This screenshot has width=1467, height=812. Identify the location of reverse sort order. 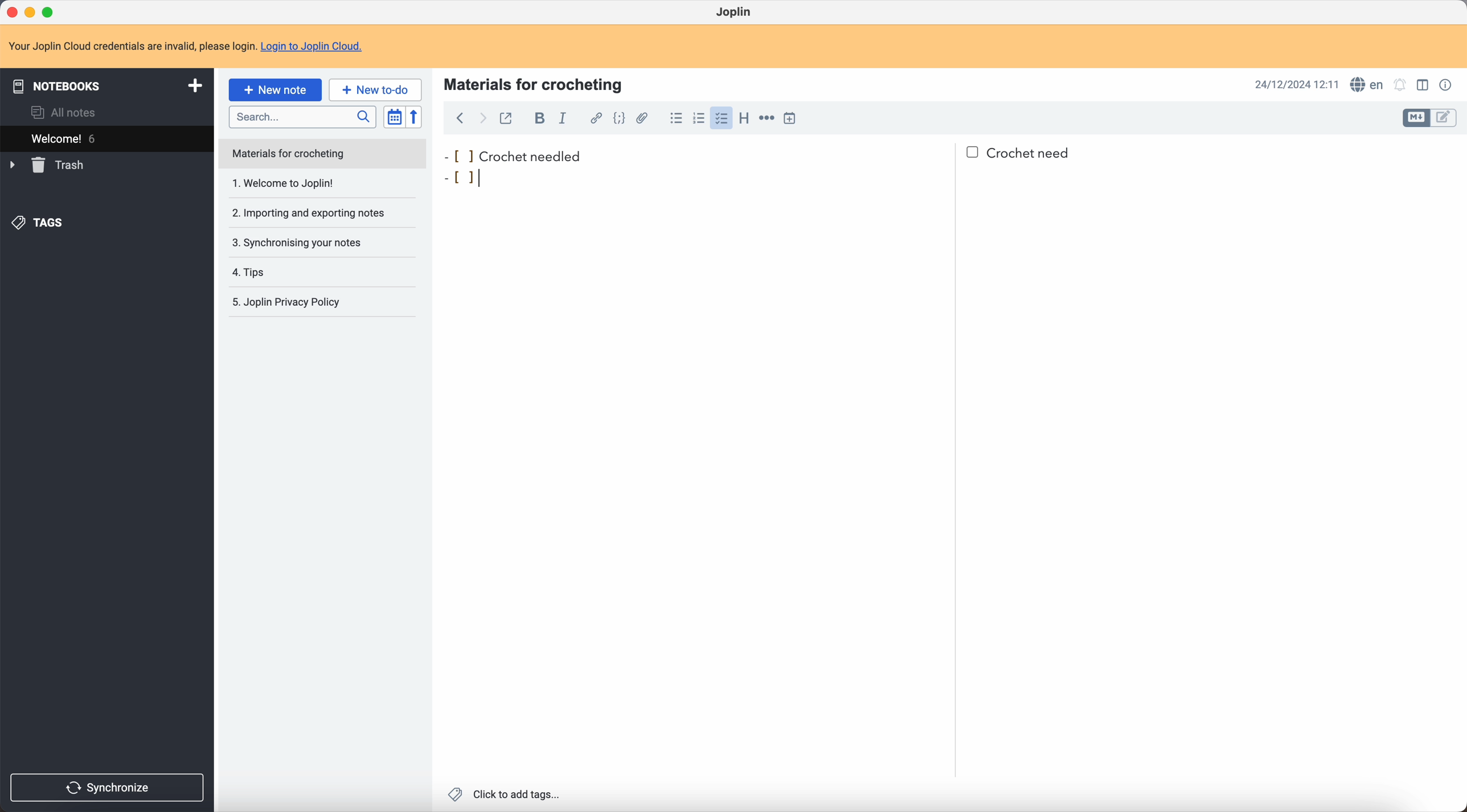
(416, 117).